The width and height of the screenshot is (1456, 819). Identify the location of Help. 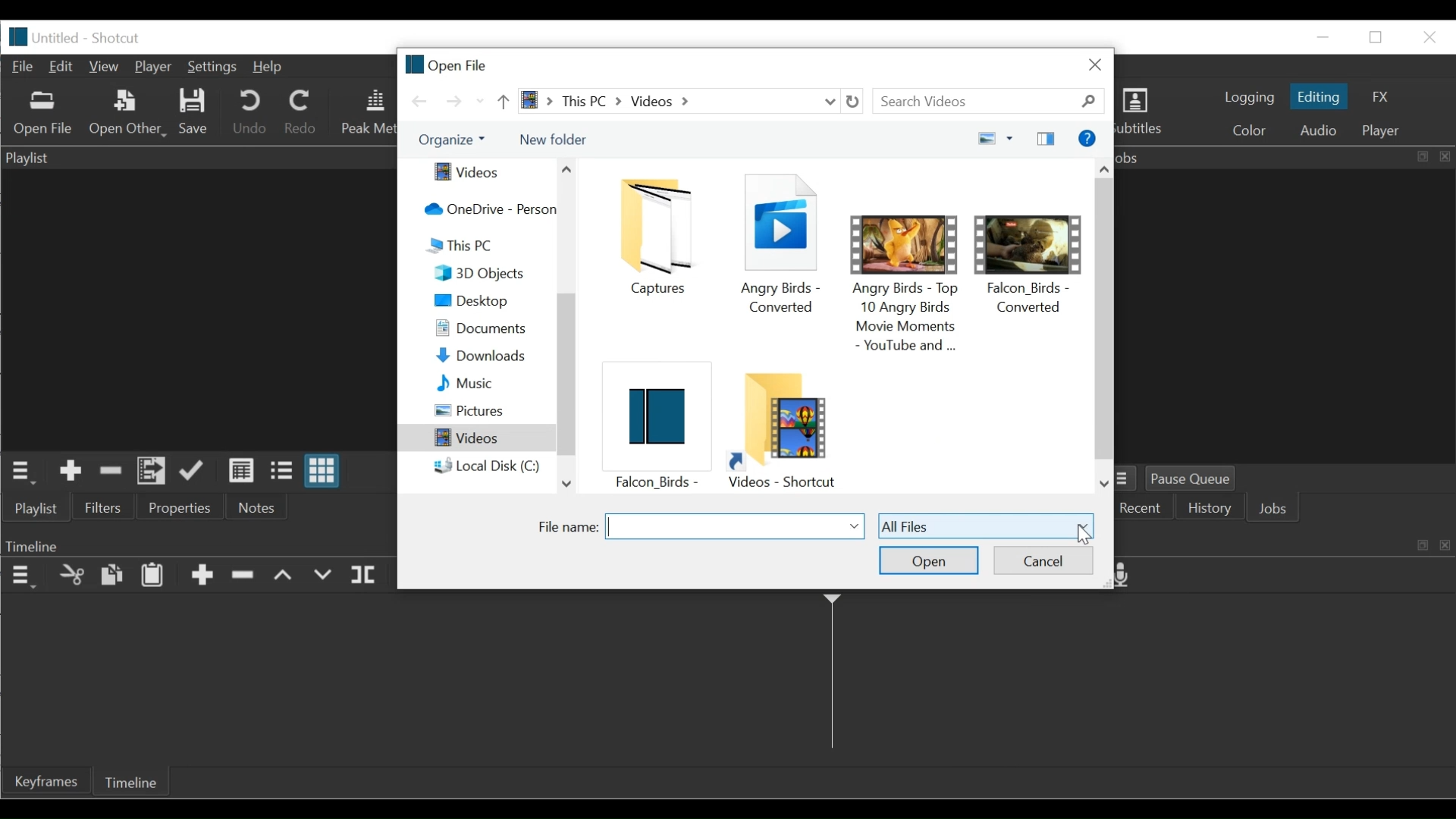
(267, 68).